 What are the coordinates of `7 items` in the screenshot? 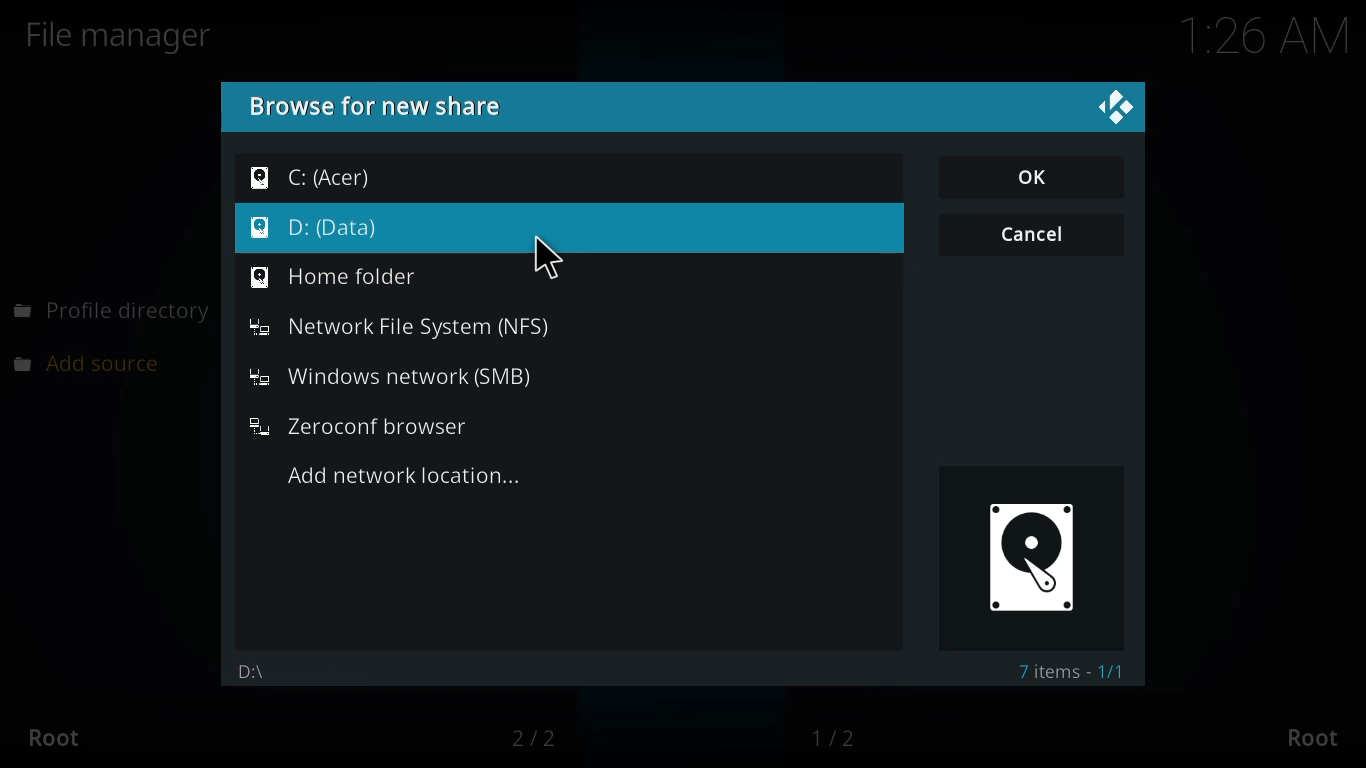 It's located at (1073, 669).